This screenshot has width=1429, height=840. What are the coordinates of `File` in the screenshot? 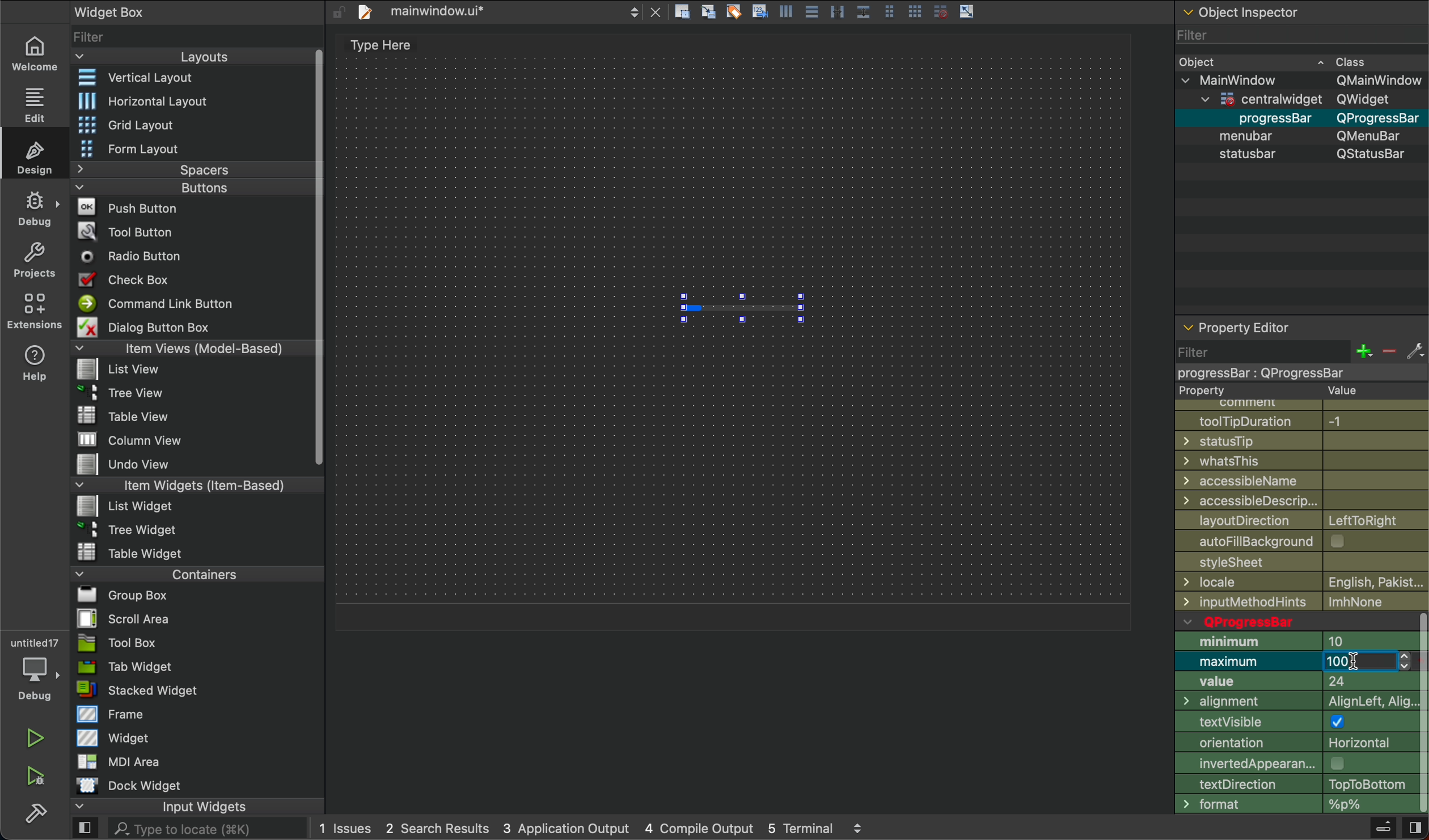 It's located at (133, 440).